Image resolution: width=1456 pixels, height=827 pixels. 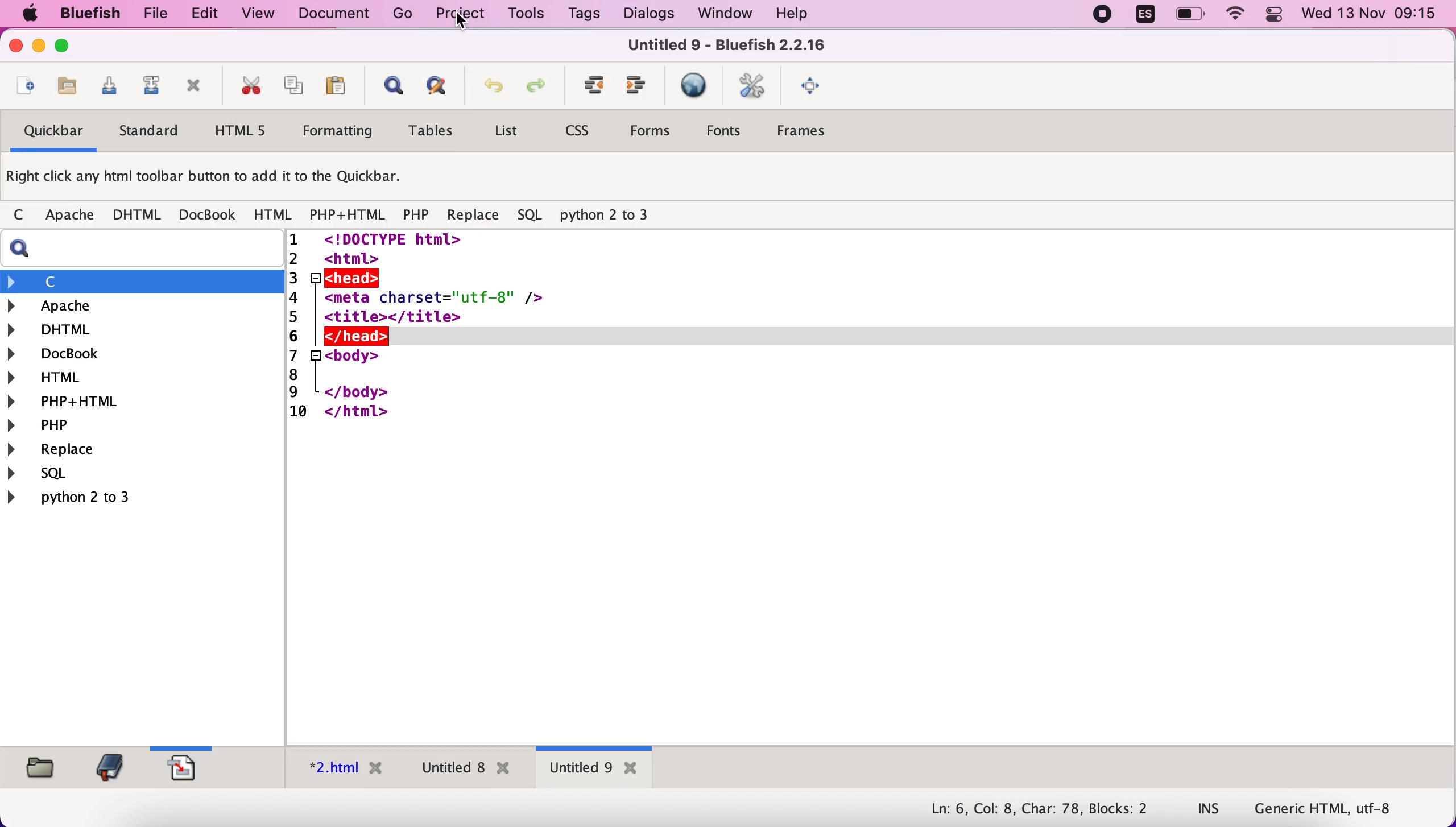 What do you see at coordinates (1139, 16) in the screenshot?
I see `language` at bounding box center [1139, 16].